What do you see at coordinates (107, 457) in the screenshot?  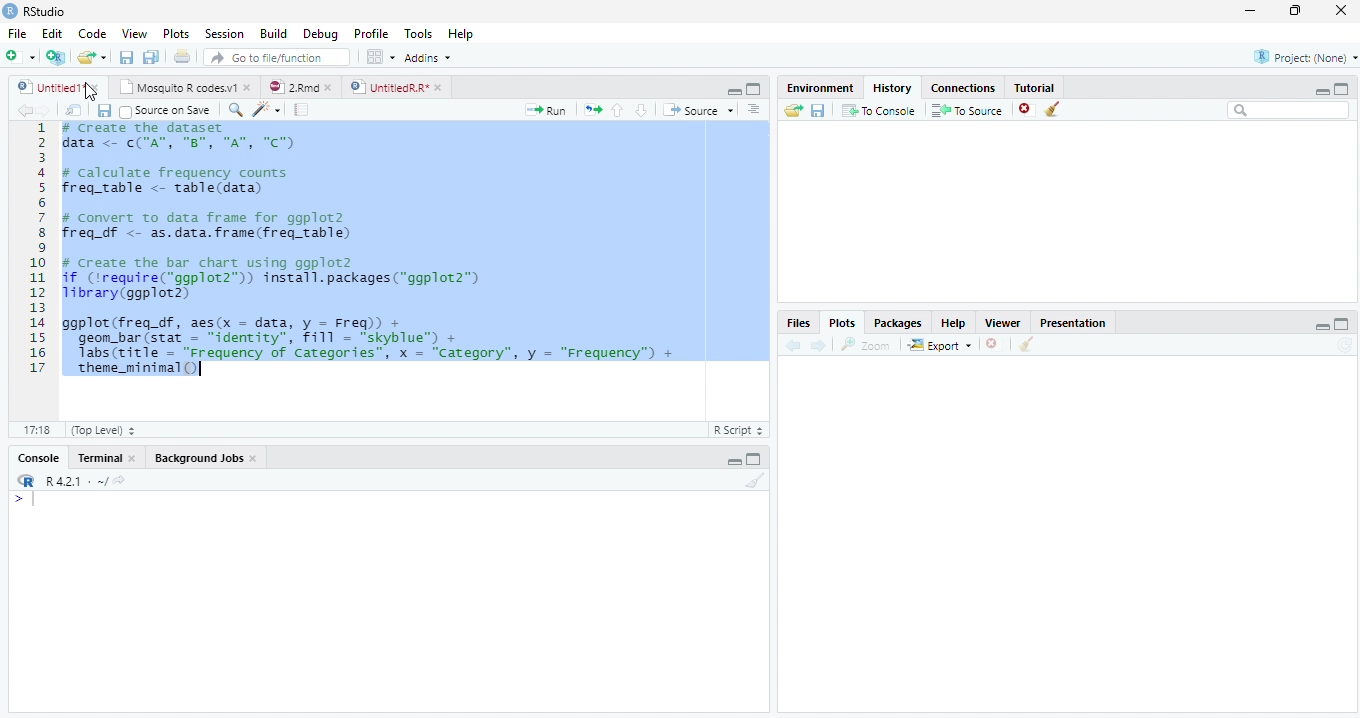 I see `Terminal` at bounding box center [107, 457].